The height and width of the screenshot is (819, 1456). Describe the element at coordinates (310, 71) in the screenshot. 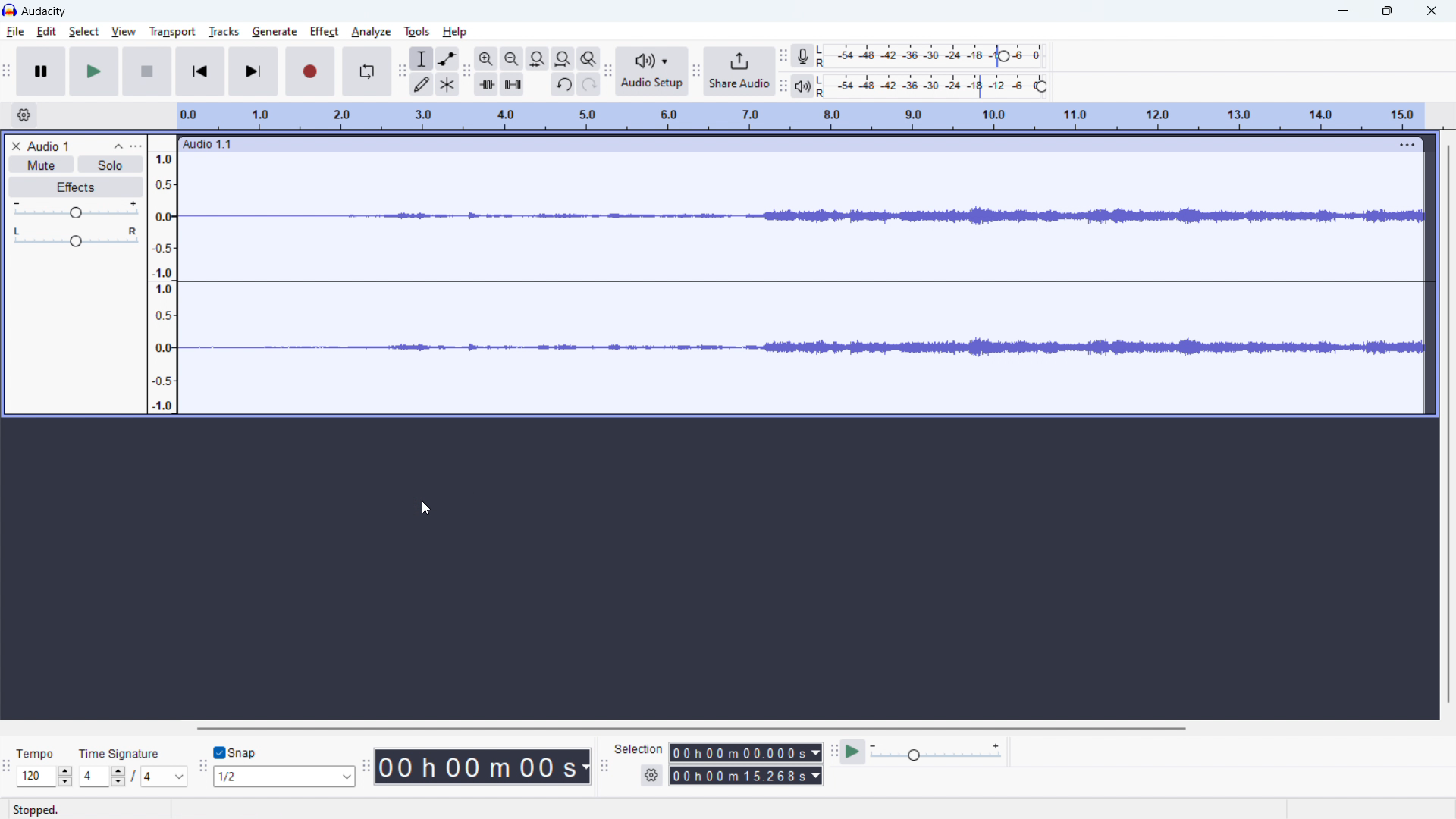

I see `record` at that location.